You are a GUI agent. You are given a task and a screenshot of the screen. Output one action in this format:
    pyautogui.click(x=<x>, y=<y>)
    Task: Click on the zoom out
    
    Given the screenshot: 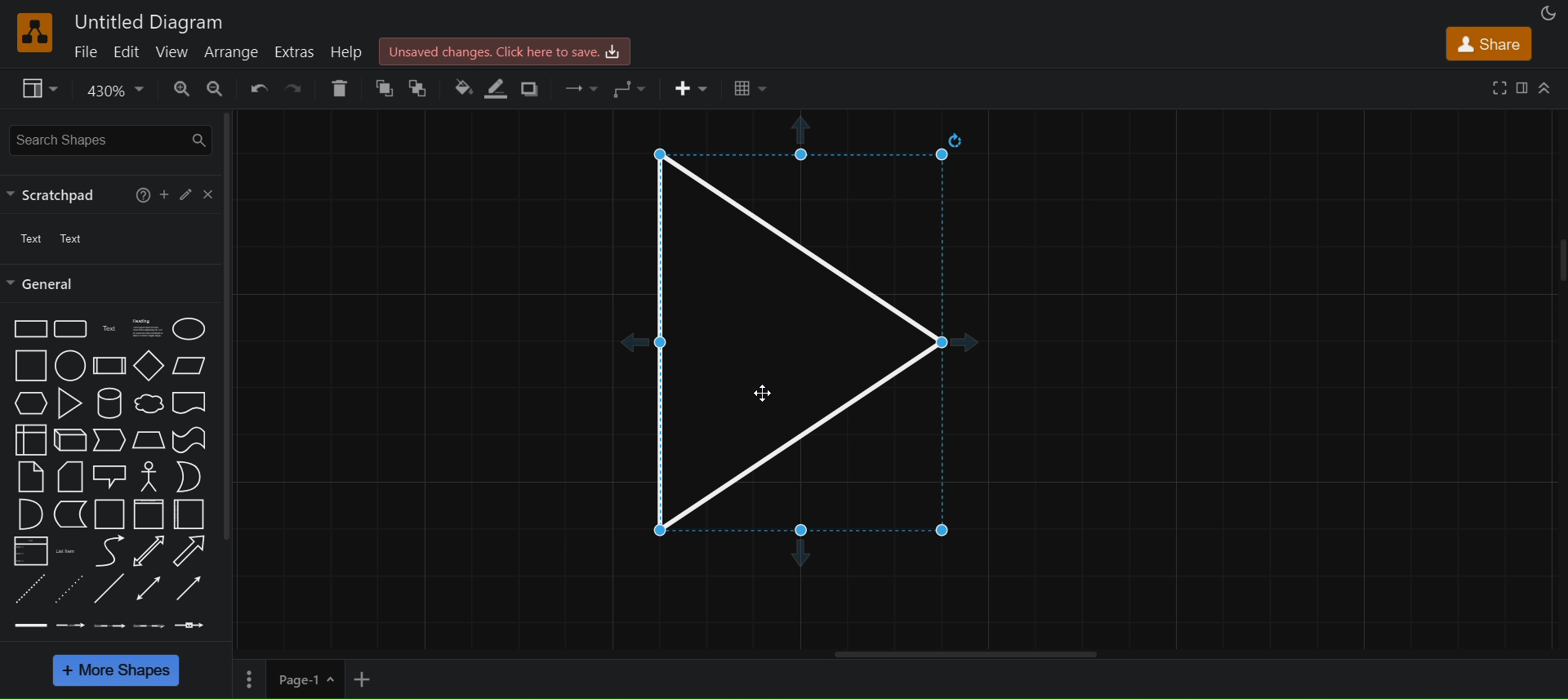 What is the action you would take?
    pyautogui.click(x=216, y=88)
    